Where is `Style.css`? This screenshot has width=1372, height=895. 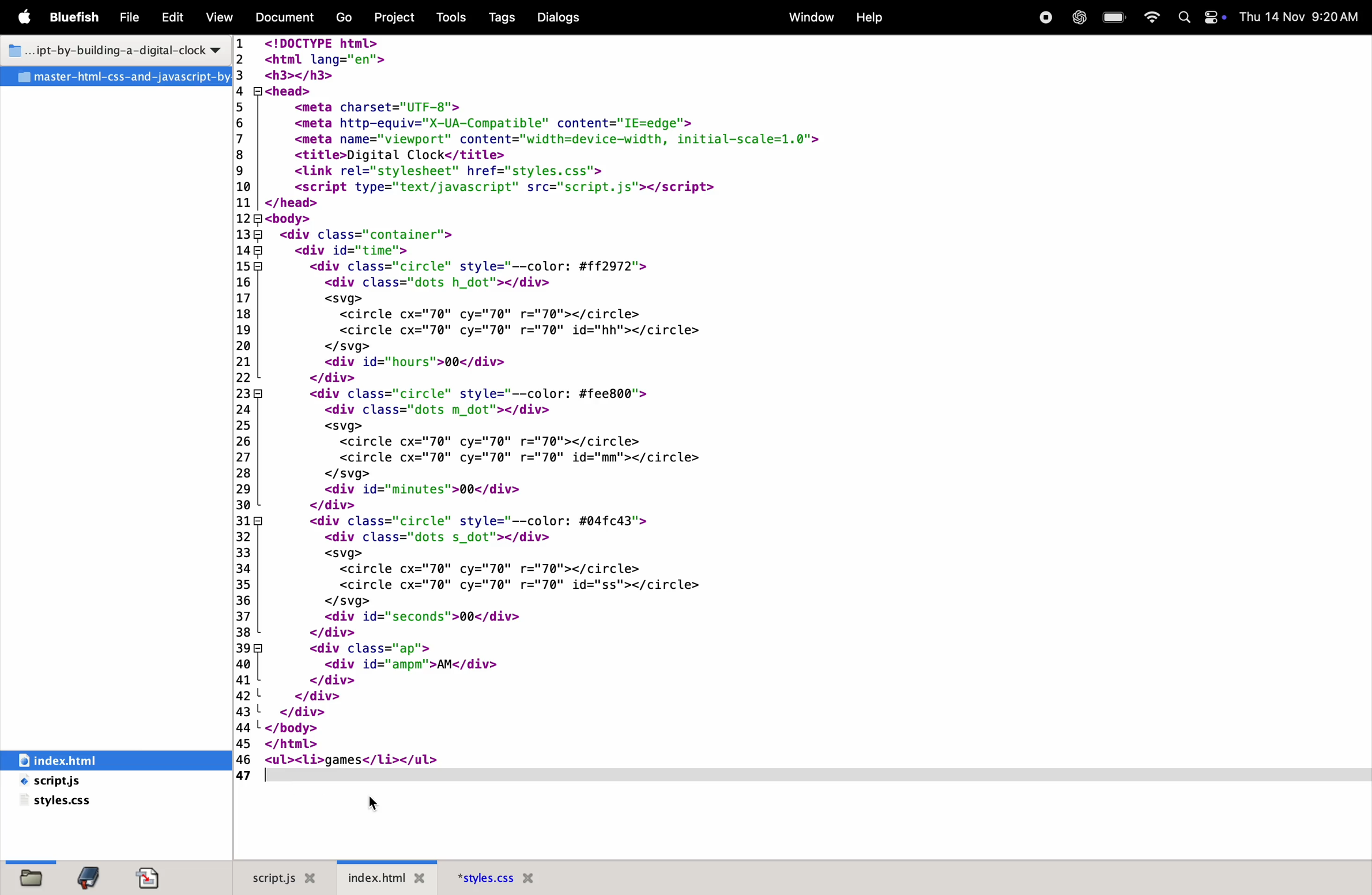 Style.css is located at coordinates (523, 877).